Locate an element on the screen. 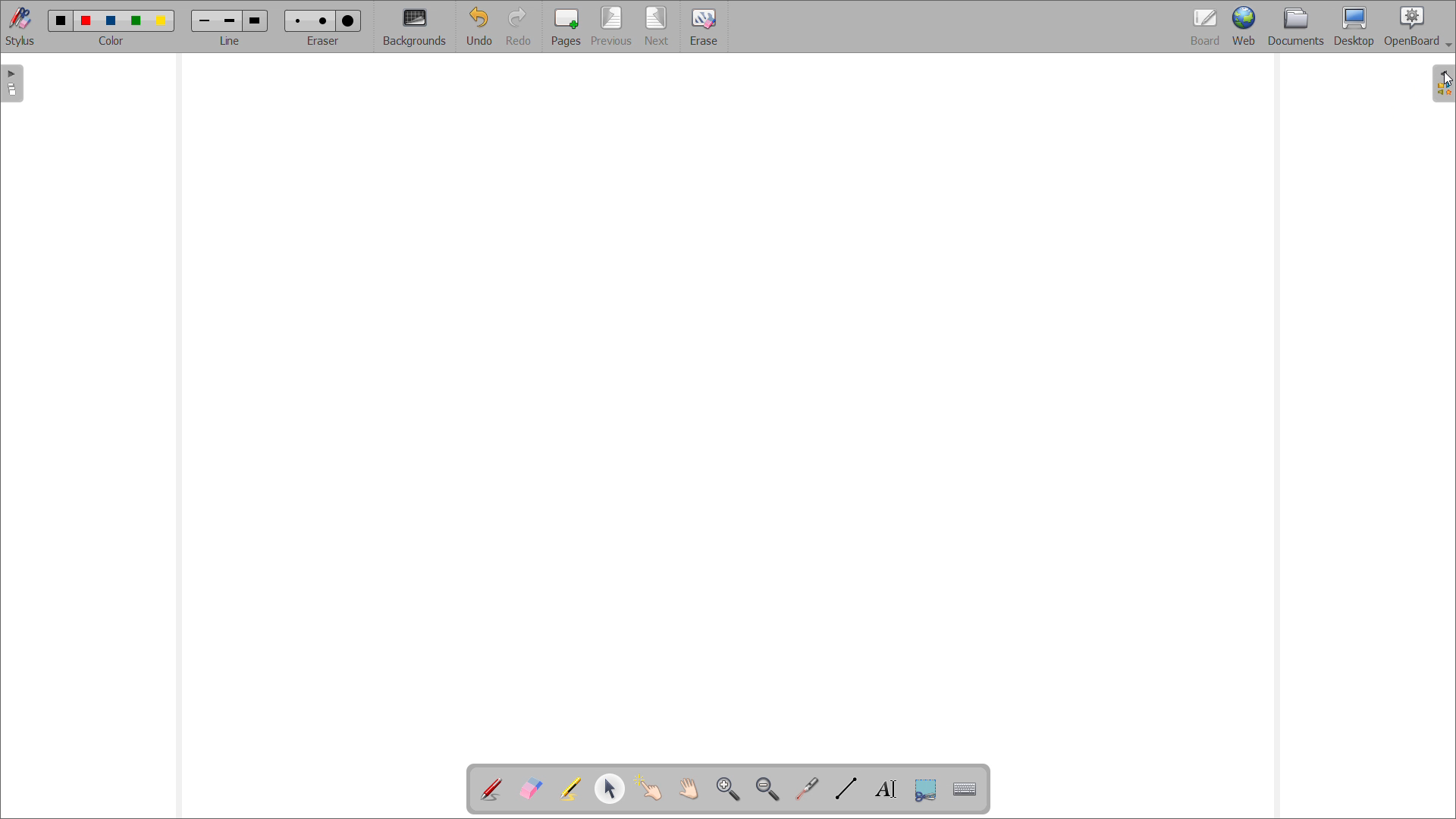 This screenshot has height=819, width=1456. Color 2 is located at coordinates (86, 19).